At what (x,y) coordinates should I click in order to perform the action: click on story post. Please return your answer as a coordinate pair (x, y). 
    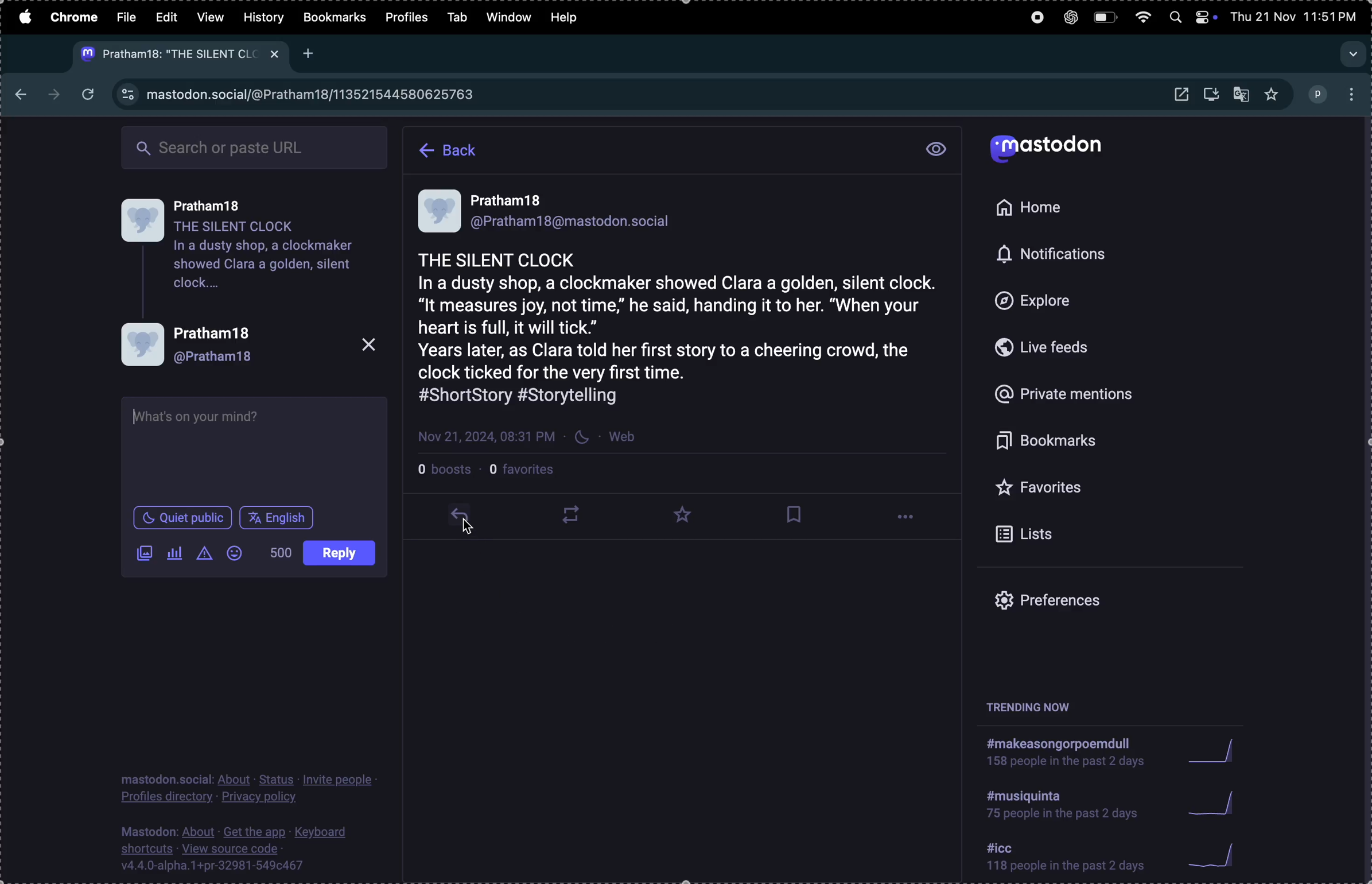
    Looking at the image, I should click on (684, 315).